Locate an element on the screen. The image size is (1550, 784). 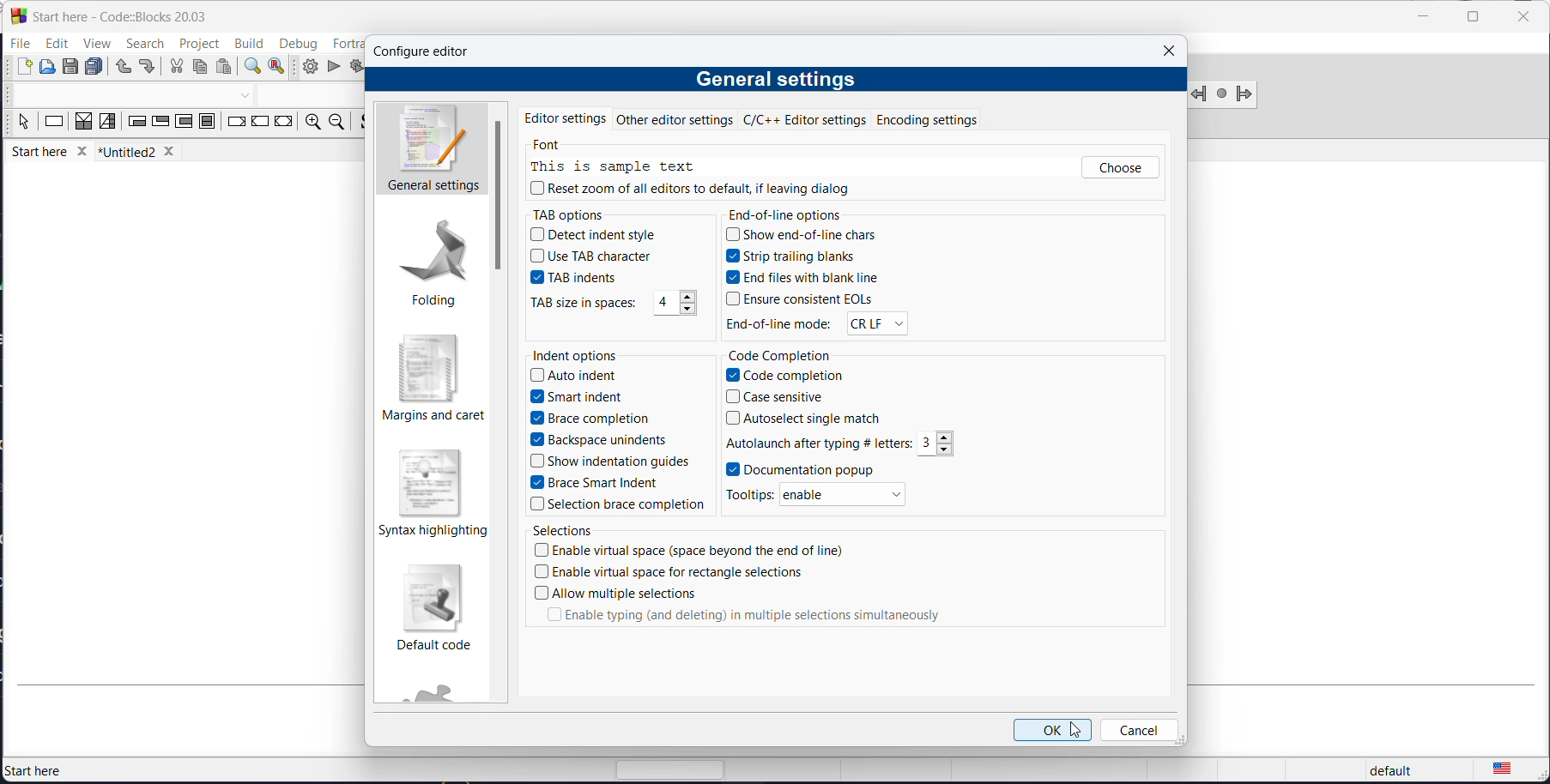
margins and caret is located at coordinates (433, 382).